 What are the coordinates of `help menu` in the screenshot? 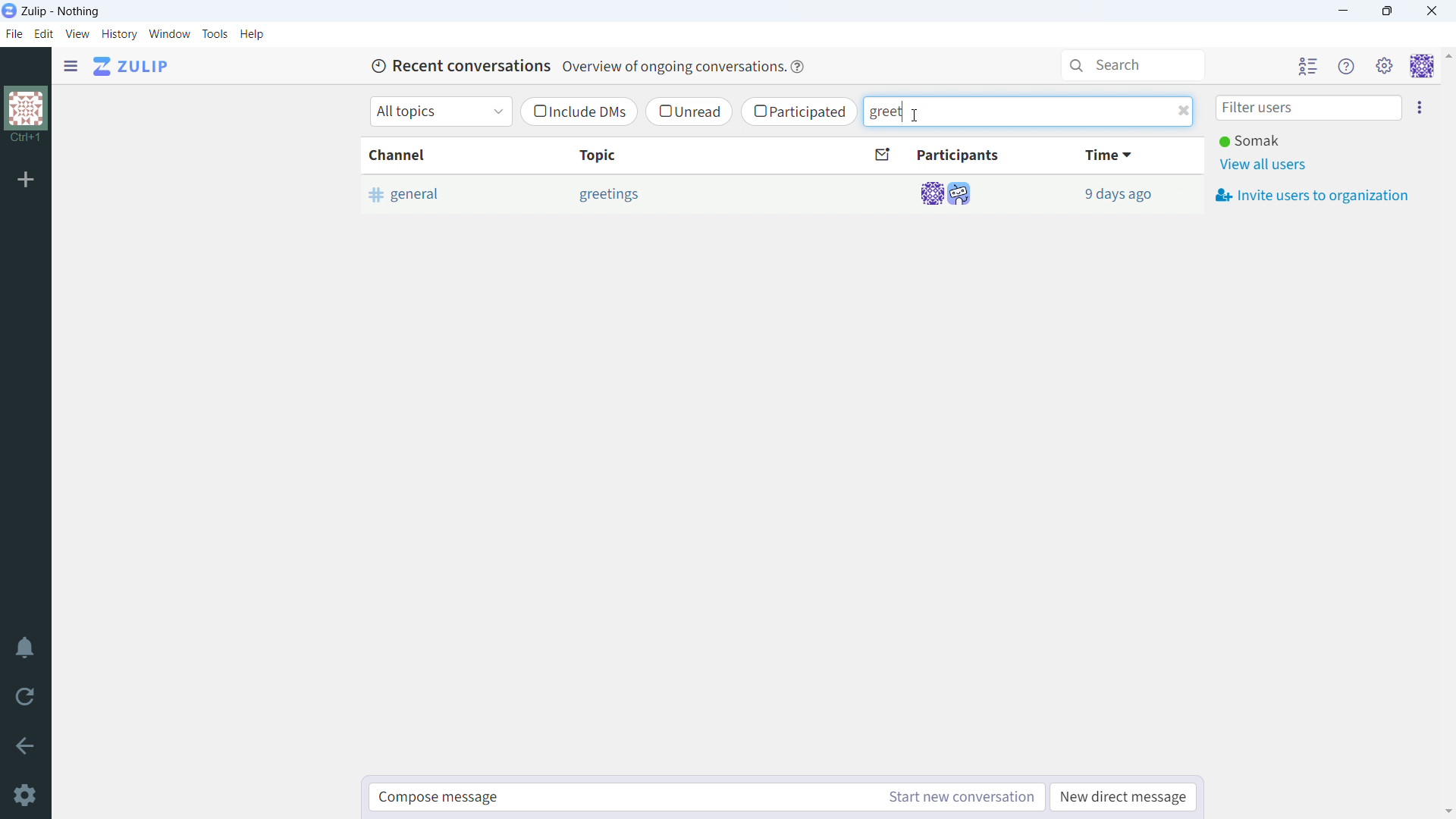 It's located at (1348, 67).